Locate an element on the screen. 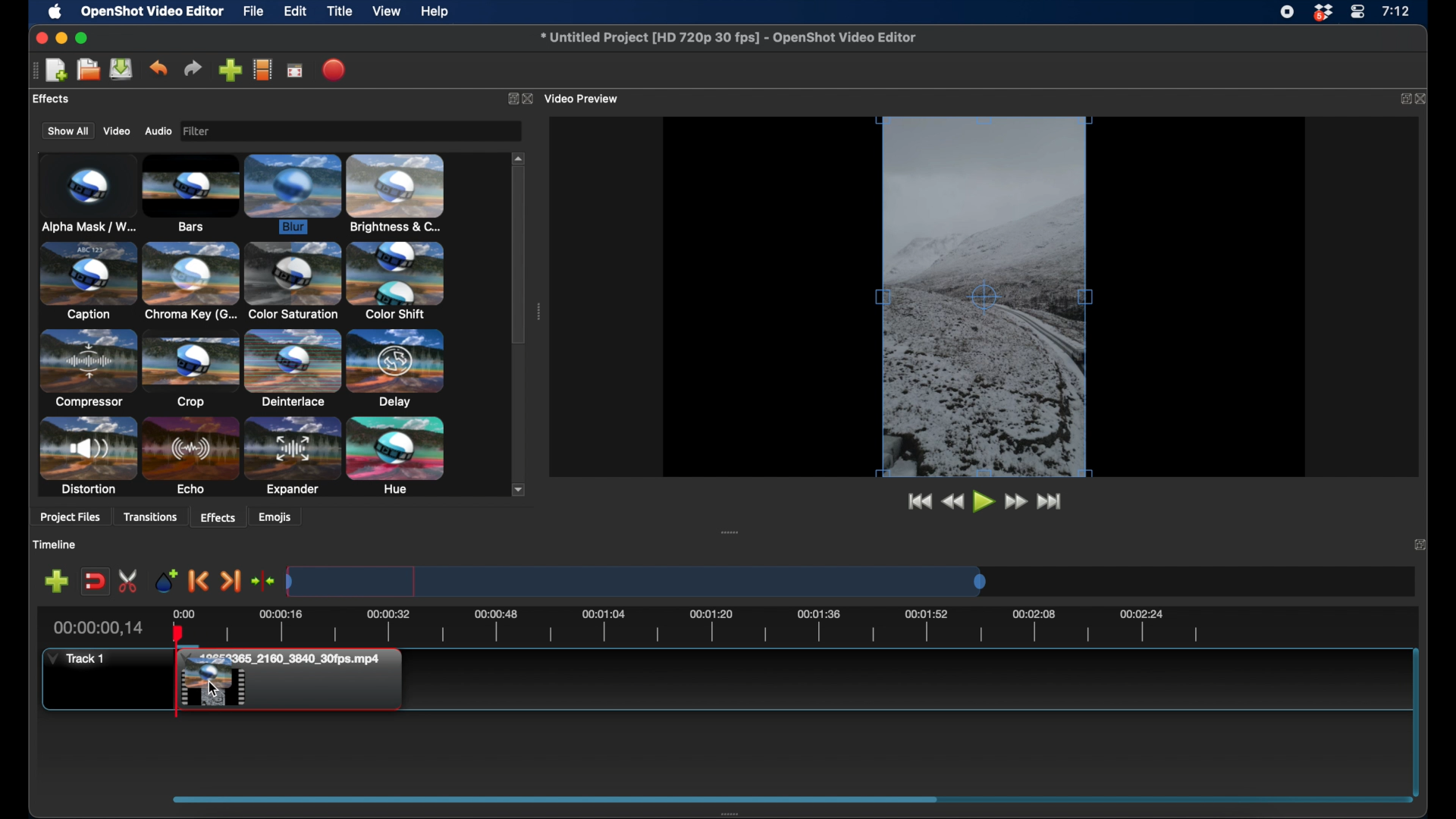 The width and height of the screenshot is (1456, 819). next marker is located at coordinates (232, 582).